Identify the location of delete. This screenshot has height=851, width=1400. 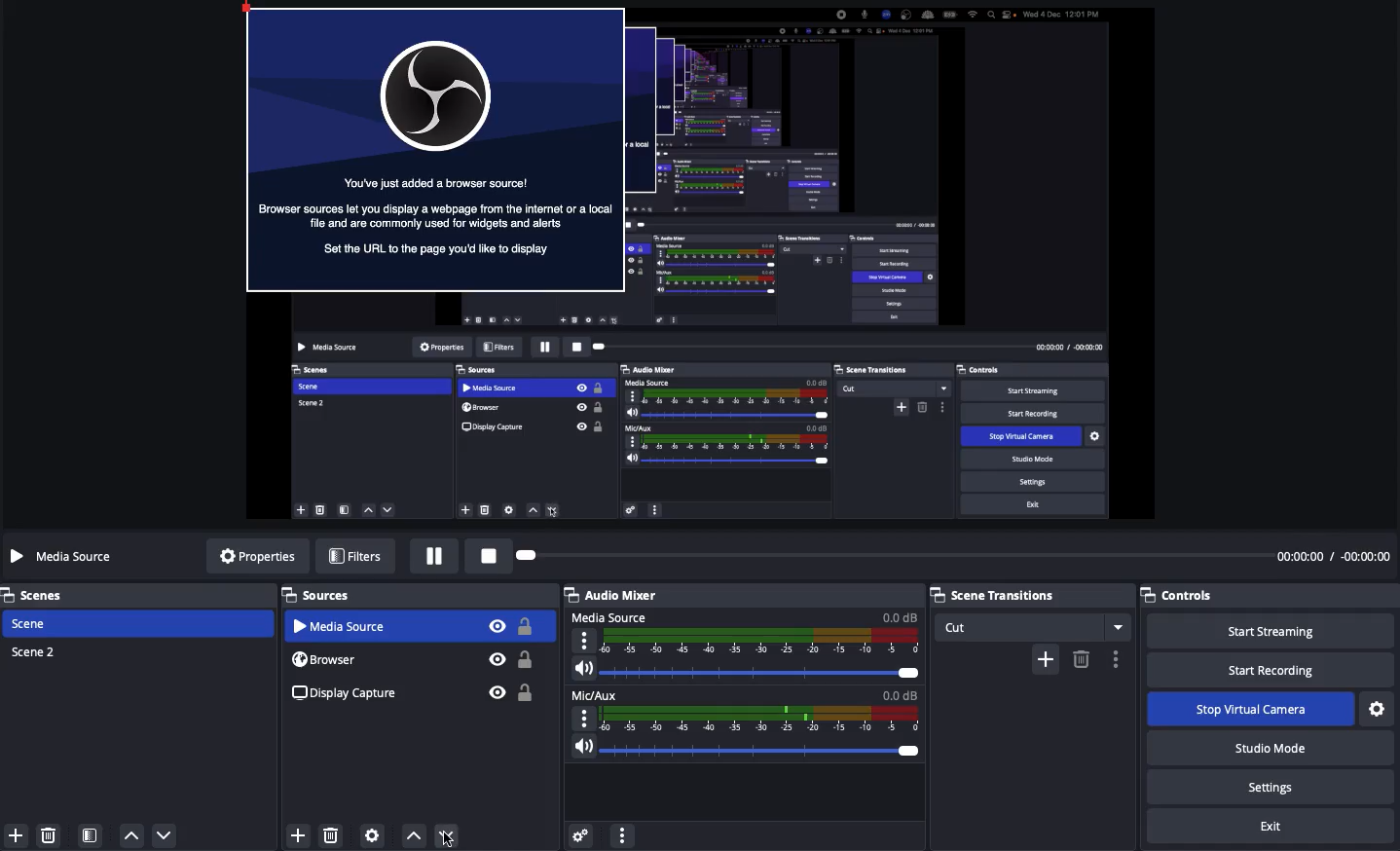
(50, 835).